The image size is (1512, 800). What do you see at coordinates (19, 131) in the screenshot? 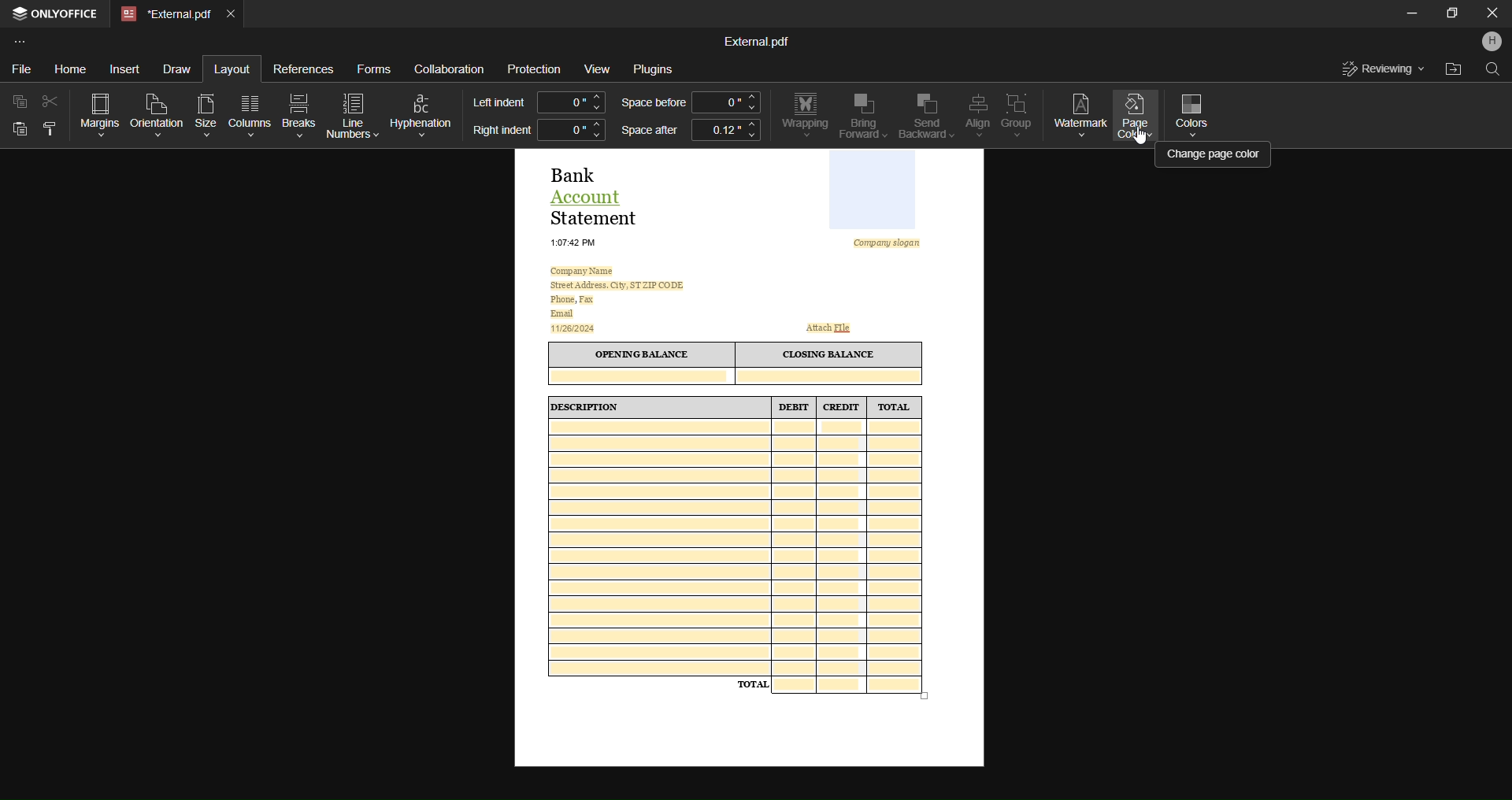
I see `Paste` at bounding box center [19, 131].